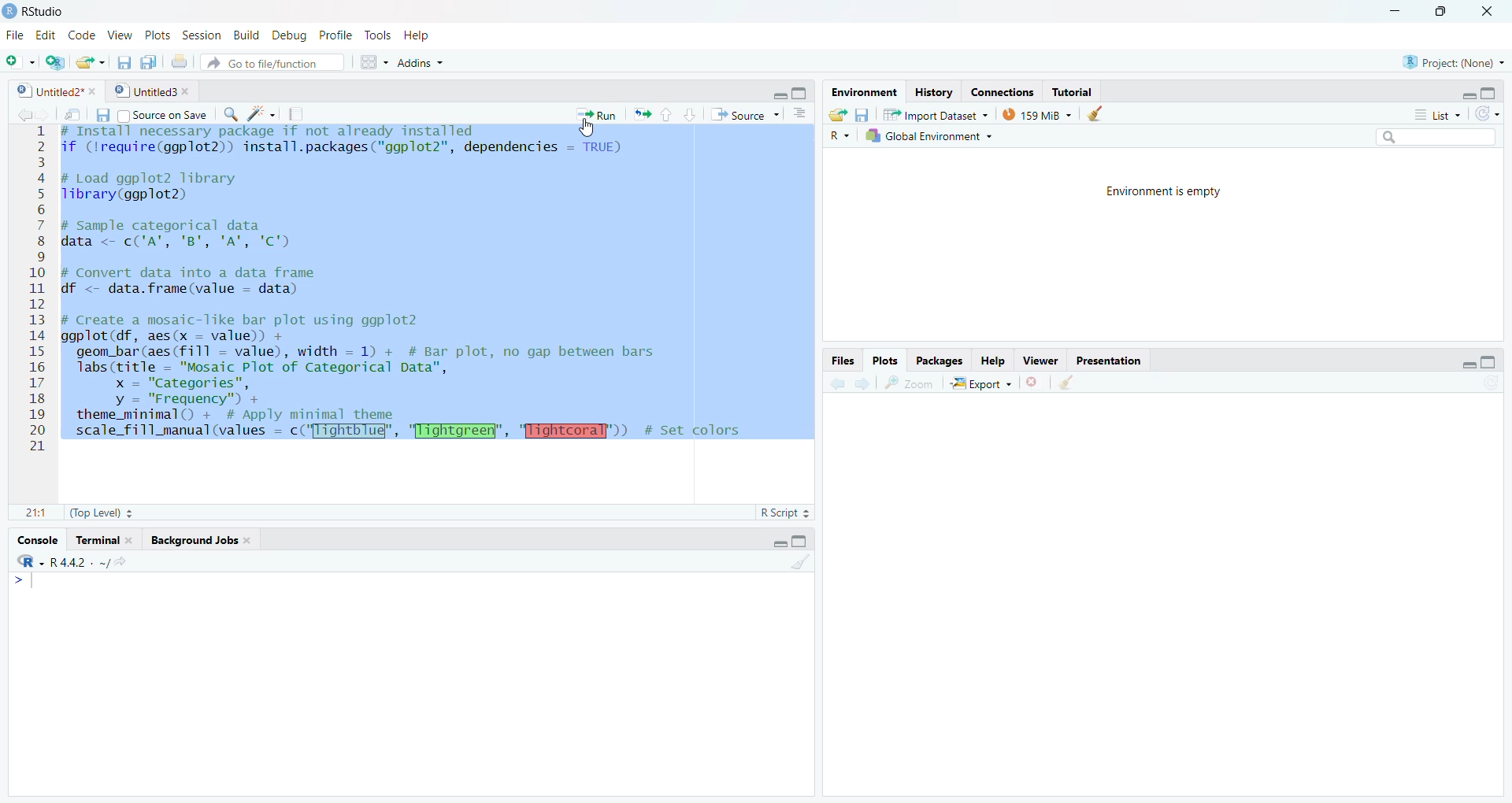  Describe the element at coordinates (743, 117) in the screenshot. I see `Source` at that location.